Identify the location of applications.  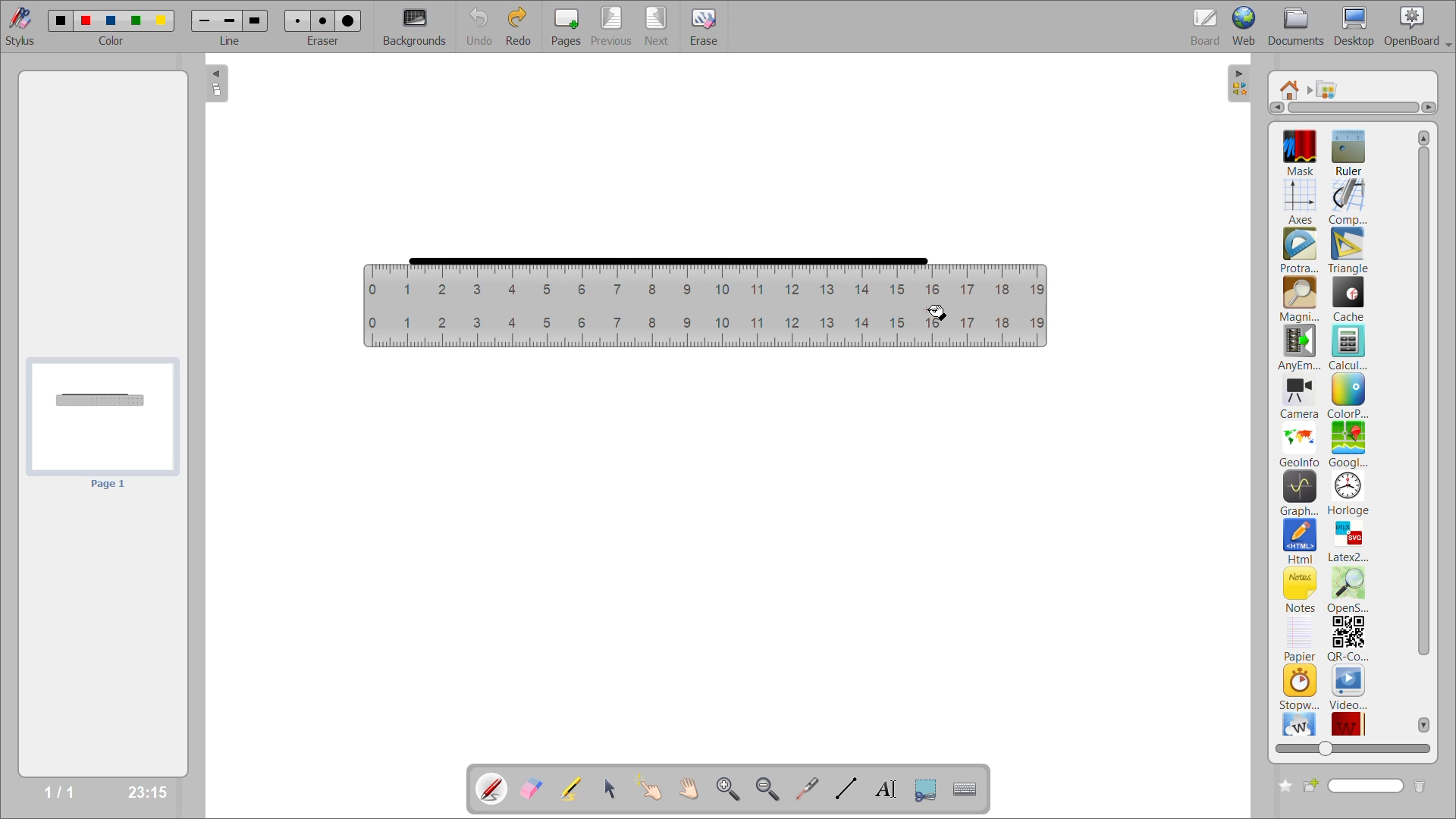
(1332, 89).